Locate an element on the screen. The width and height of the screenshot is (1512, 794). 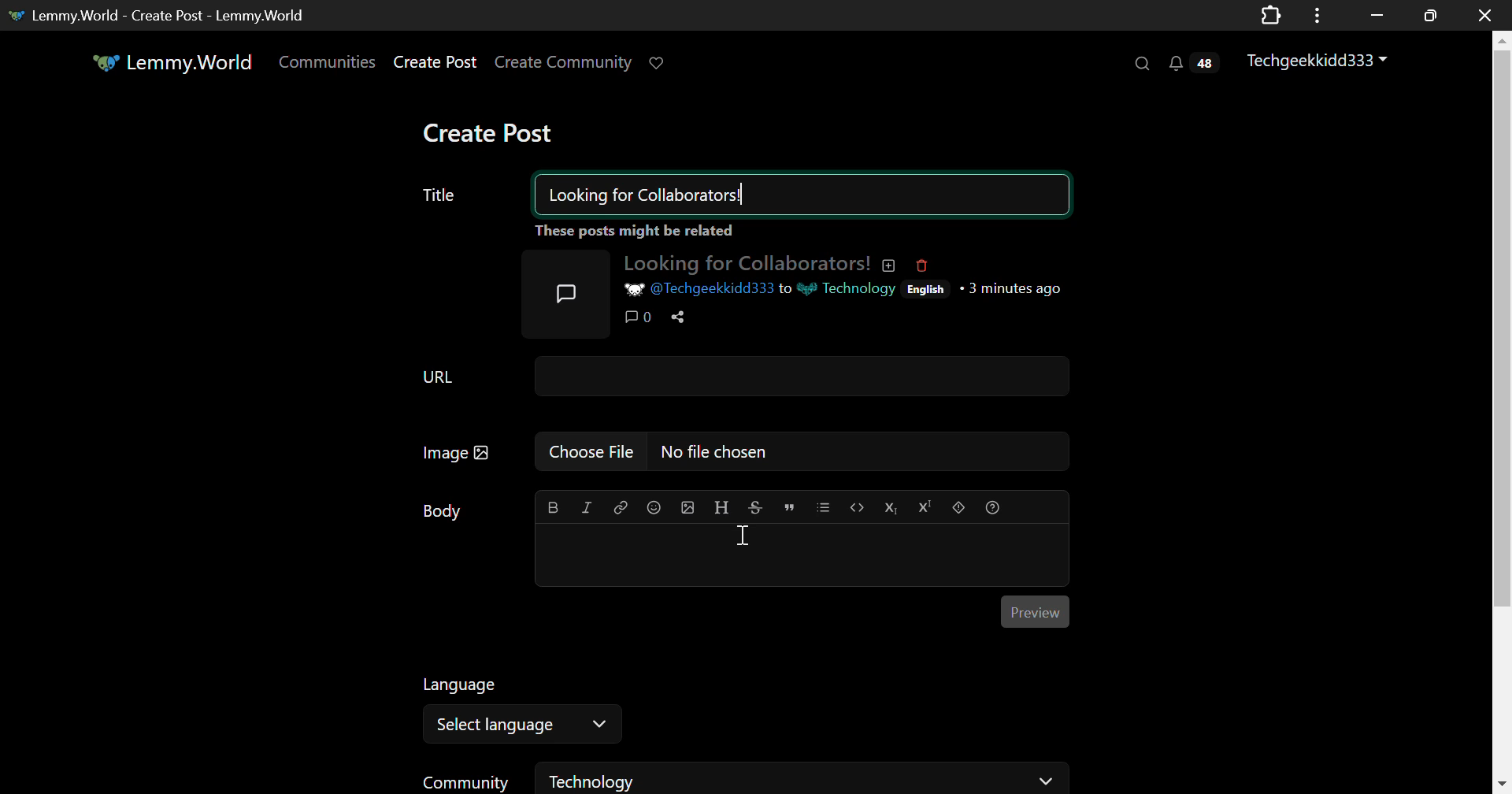
Language is located at coordinates (463, 688).